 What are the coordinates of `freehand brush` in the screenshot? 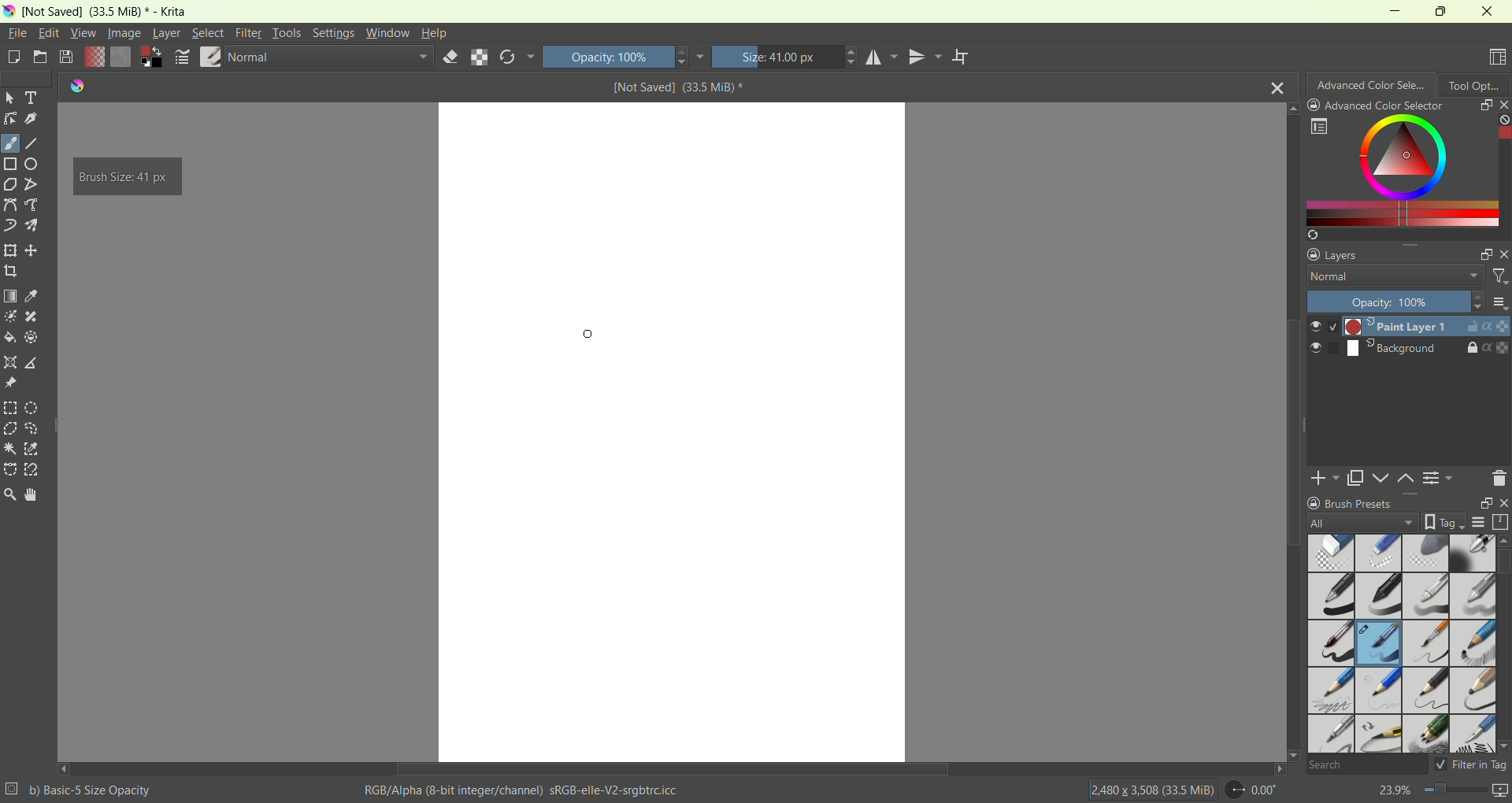 It's located at (10, 143).